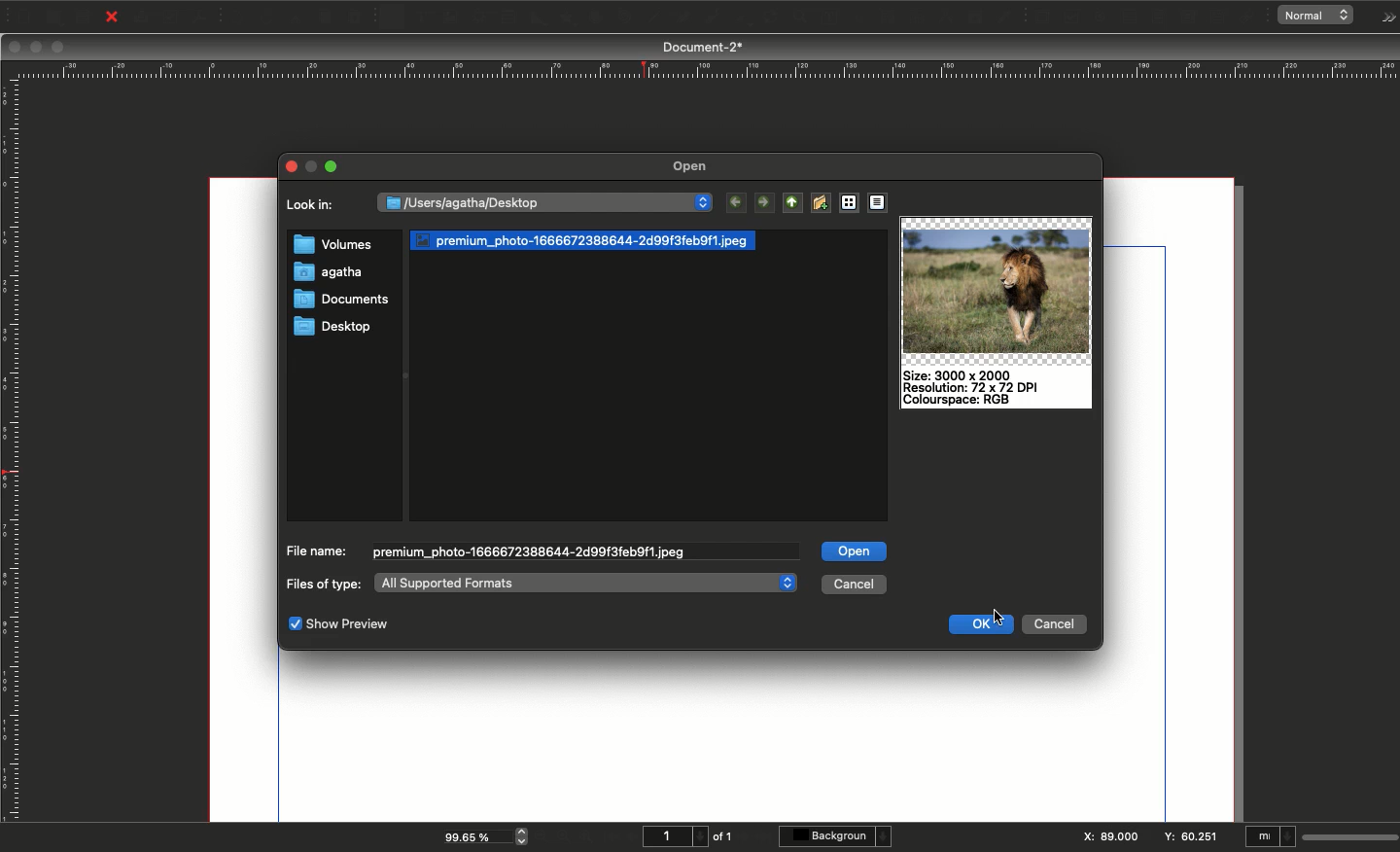  I want to click on PDF combo box, so click(1157, 18).